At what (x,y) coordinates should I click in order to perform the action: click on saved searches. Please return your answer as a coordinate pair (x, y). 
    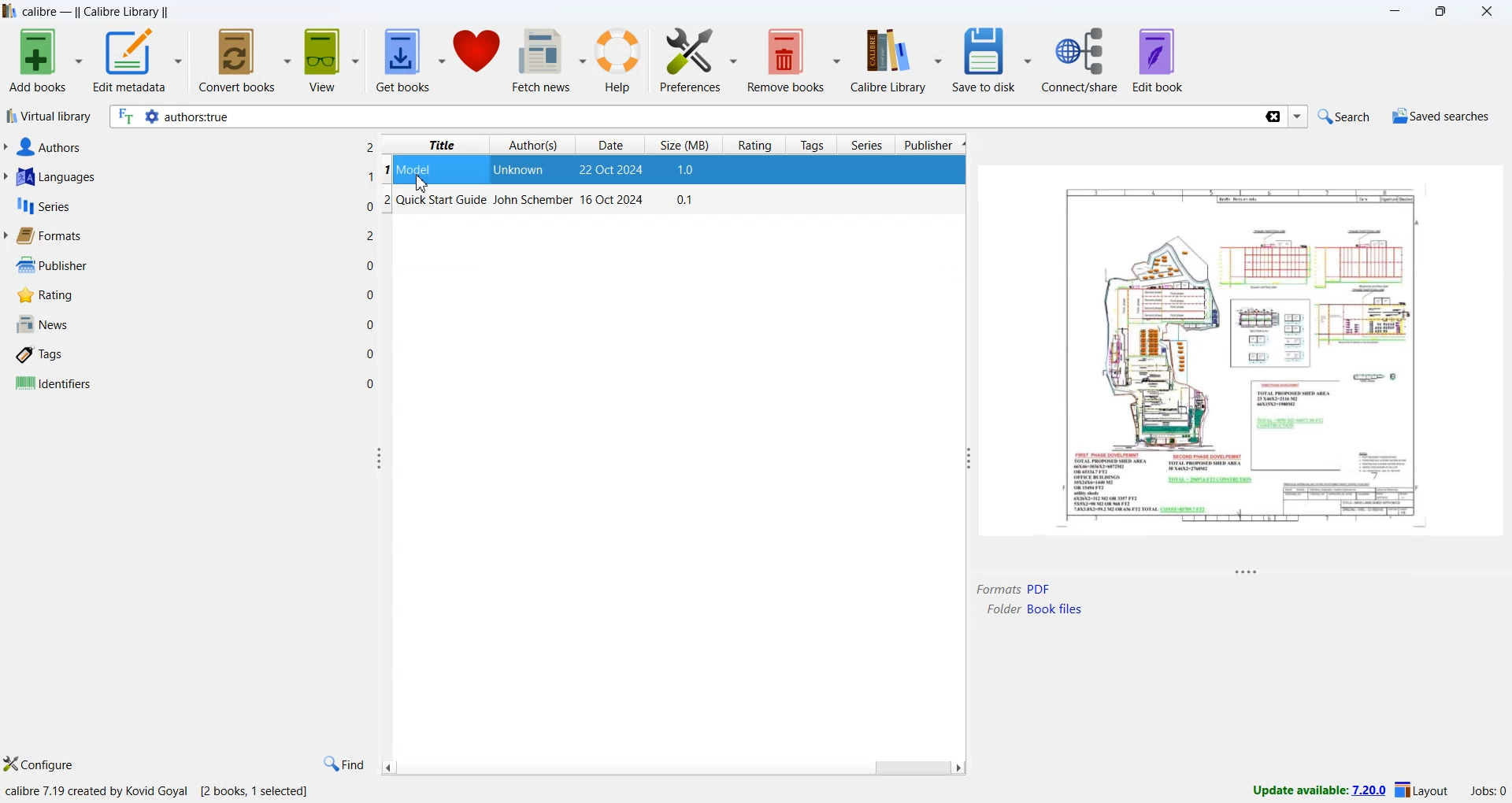
    Looking at the image, I should click on (1440, 118).